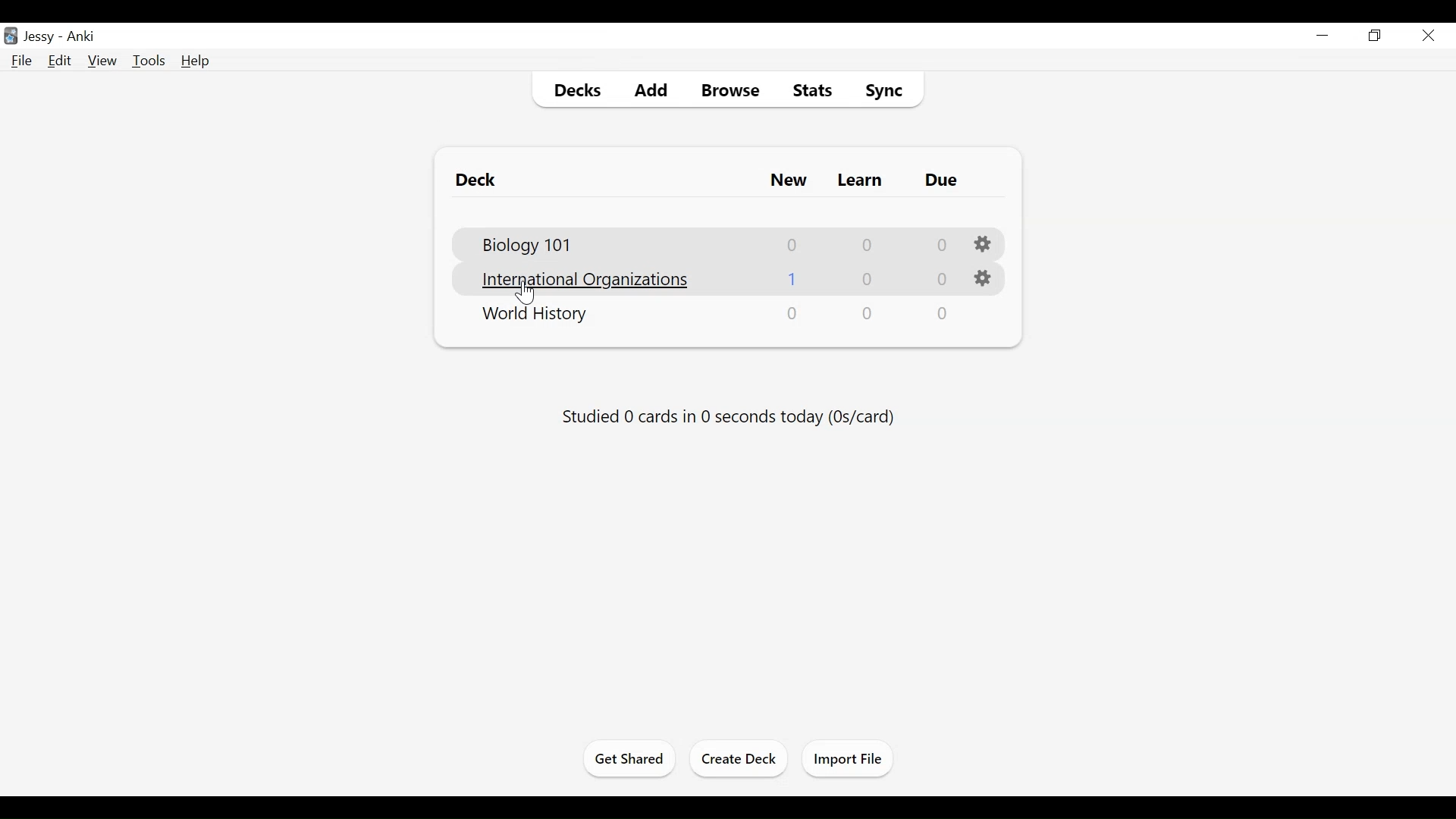 Image resolution: width=1456 pixels, height=819 pixels. Describe the element at coordinates (731, 91) in the screenshot. I see `Browse` at that location.